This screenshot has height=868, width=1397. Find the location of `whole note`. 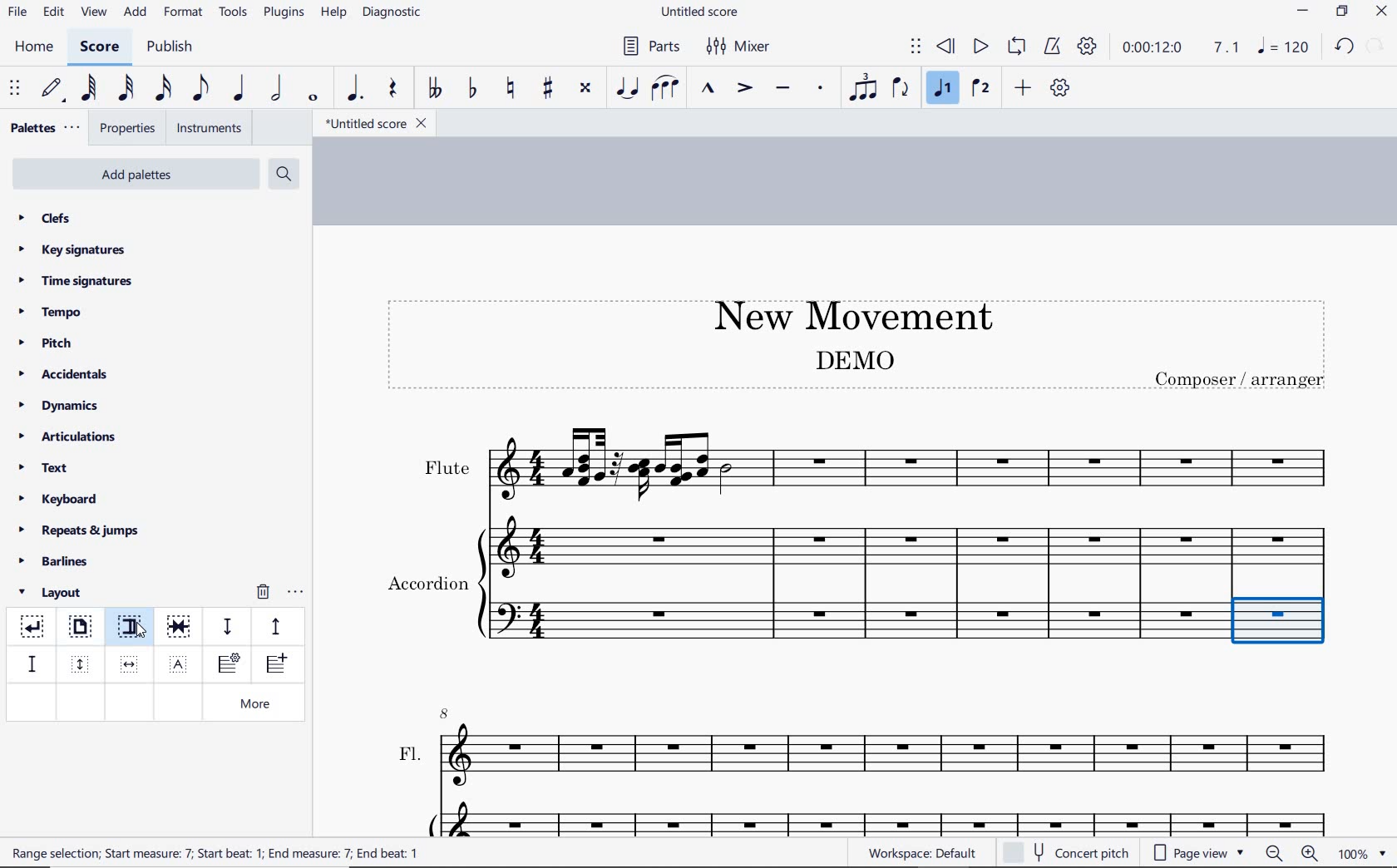

whole note is located at coordinates (314, 97).